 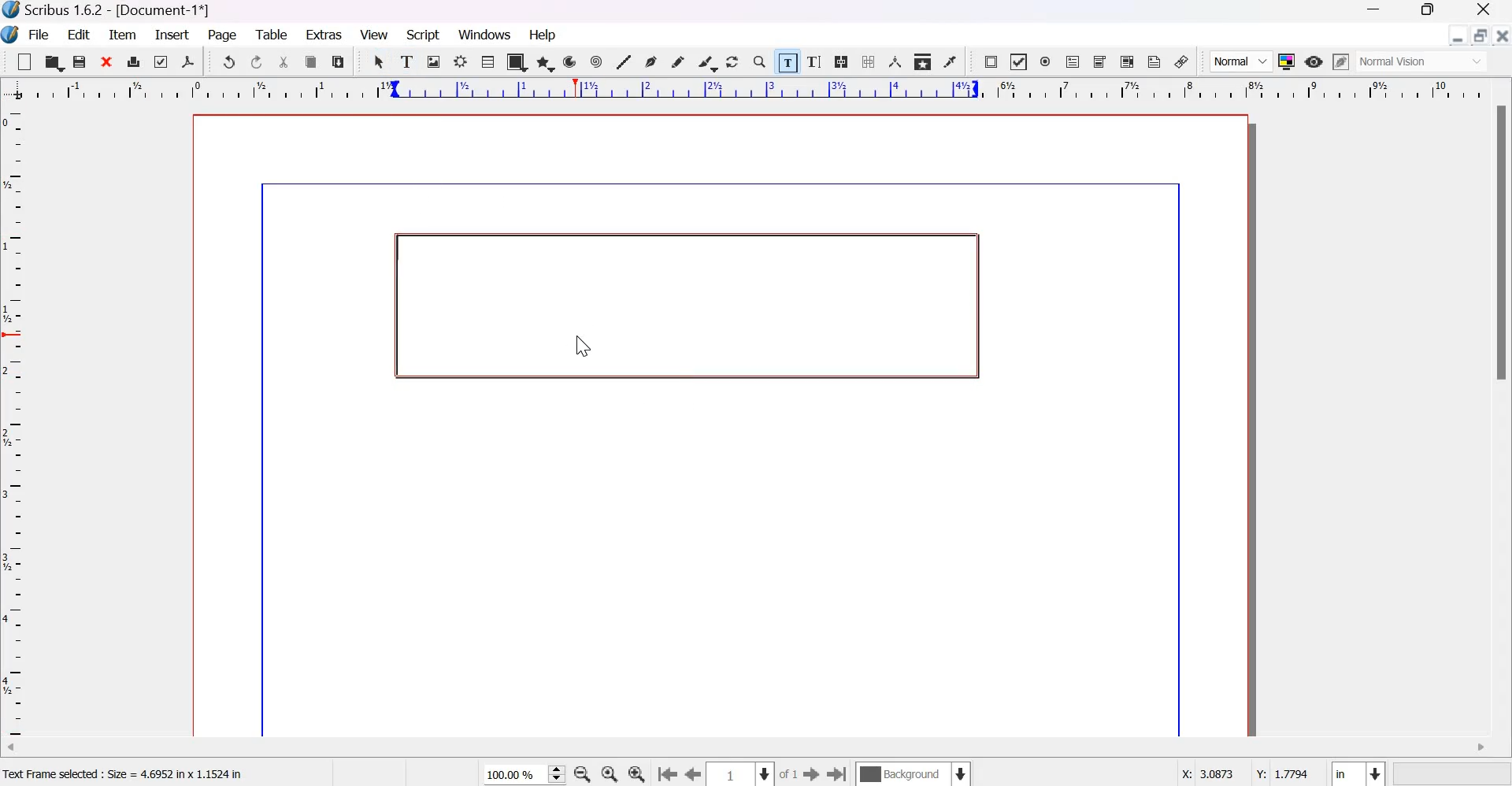 I want to click on XL Frame selected © Size = 4.6952 In x 1.1529 In, so click(x=135, y=772).